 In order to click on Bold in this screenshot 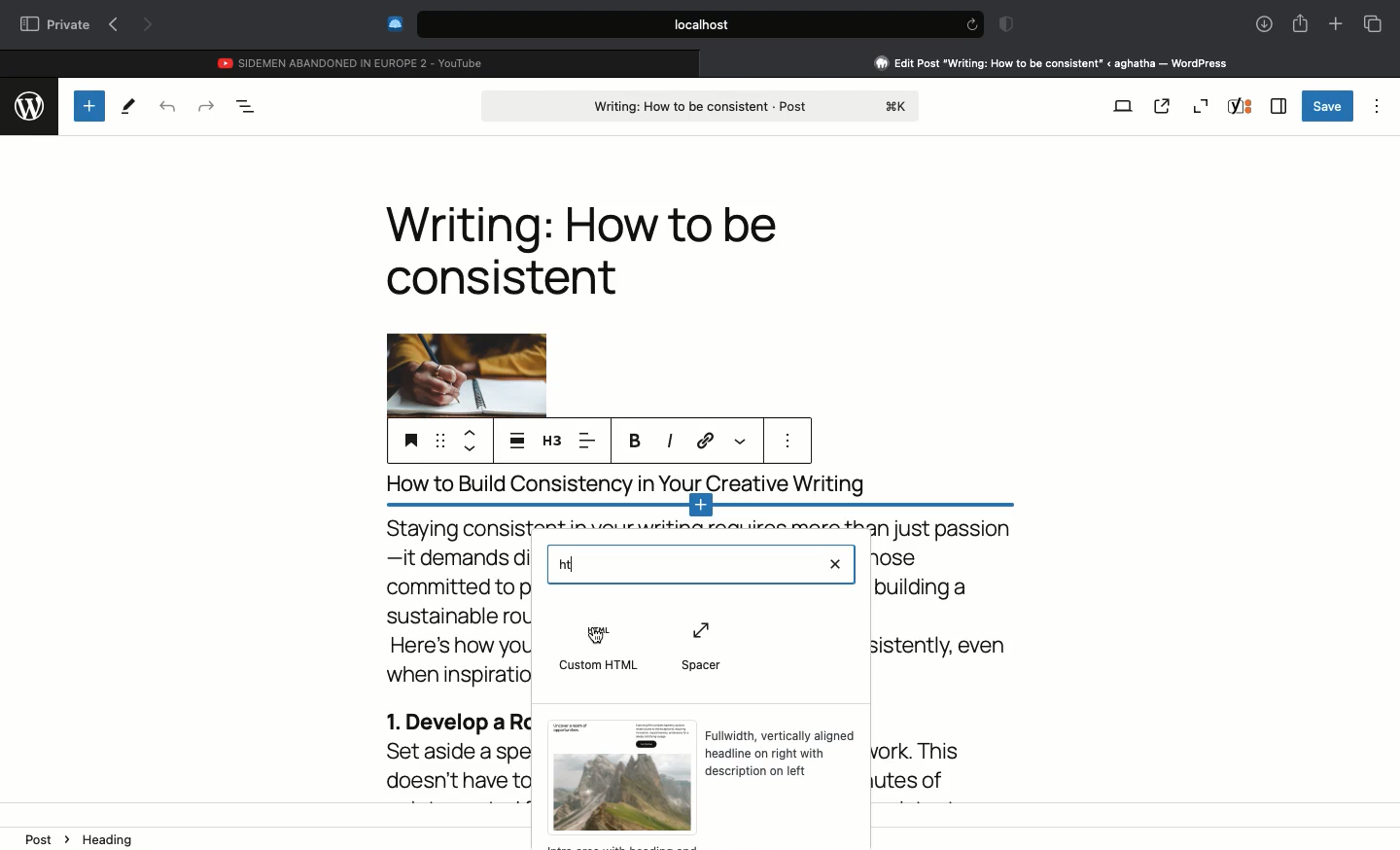, I will do `click(636, 441)`.